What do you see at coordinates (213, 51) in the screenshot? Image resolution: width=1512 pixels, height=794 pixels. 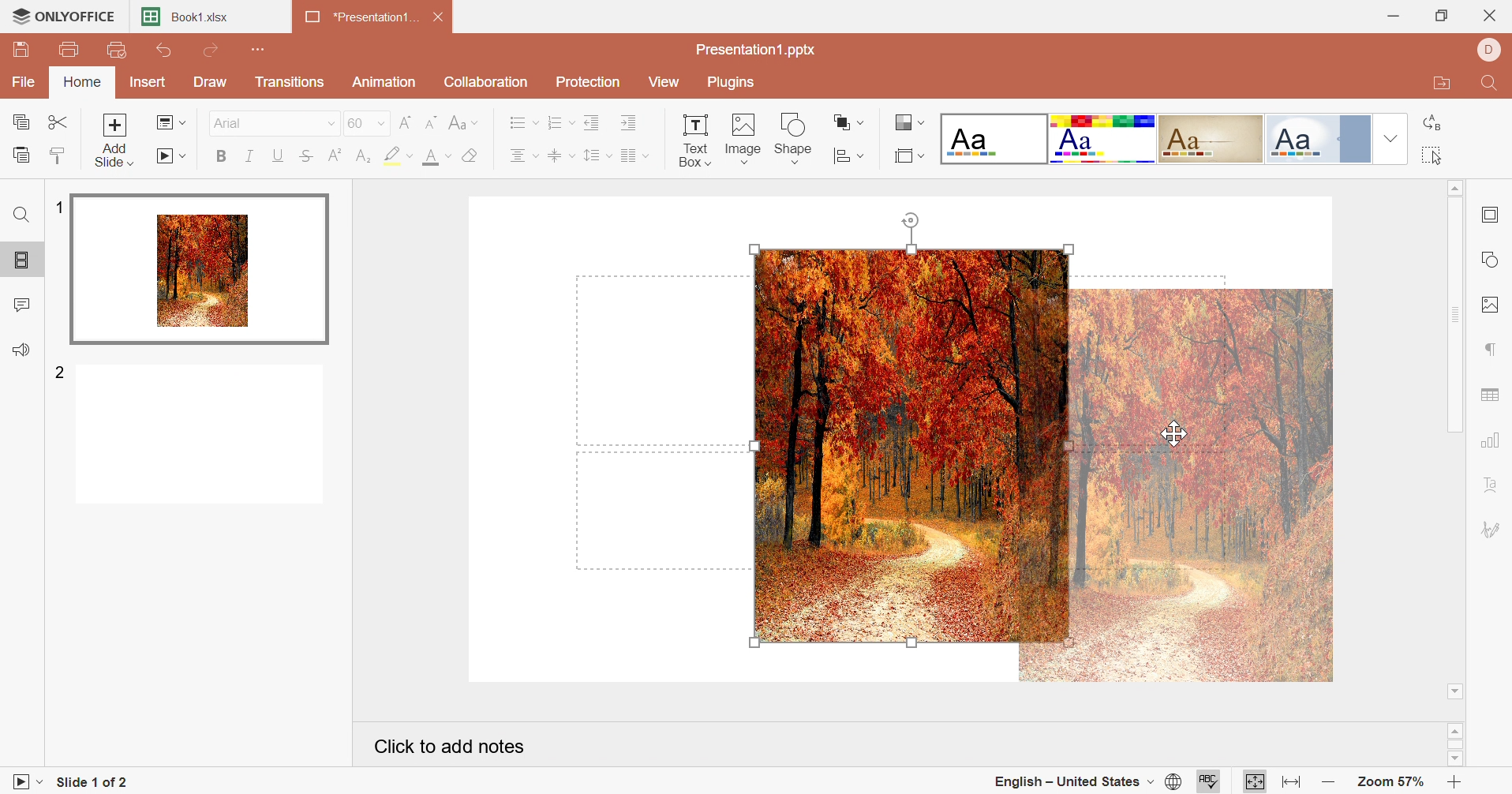 I see `Redo` at bounding box center [213, 51].